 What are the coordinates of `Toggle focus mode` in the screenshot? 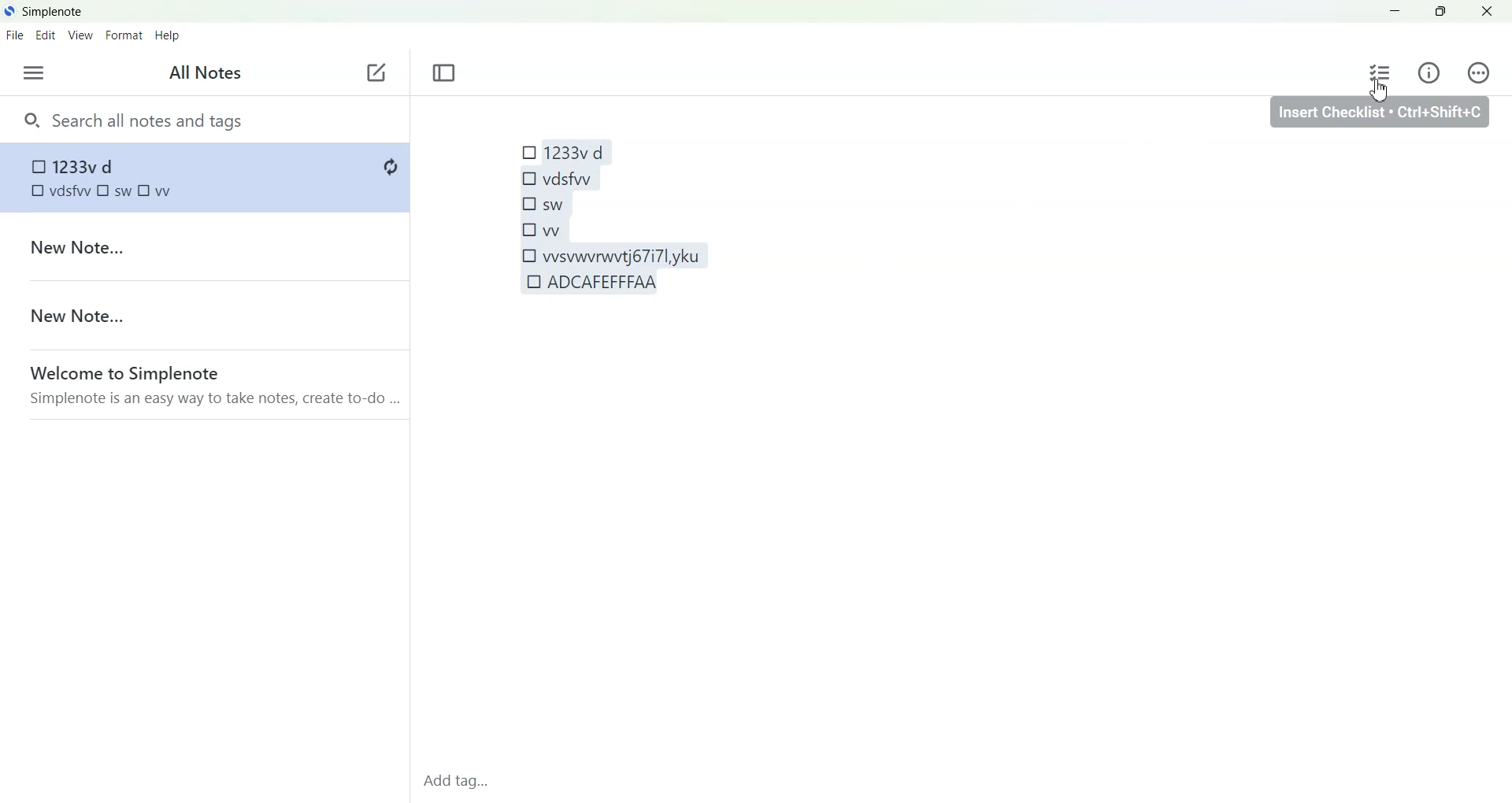 It's located at (444, 72).